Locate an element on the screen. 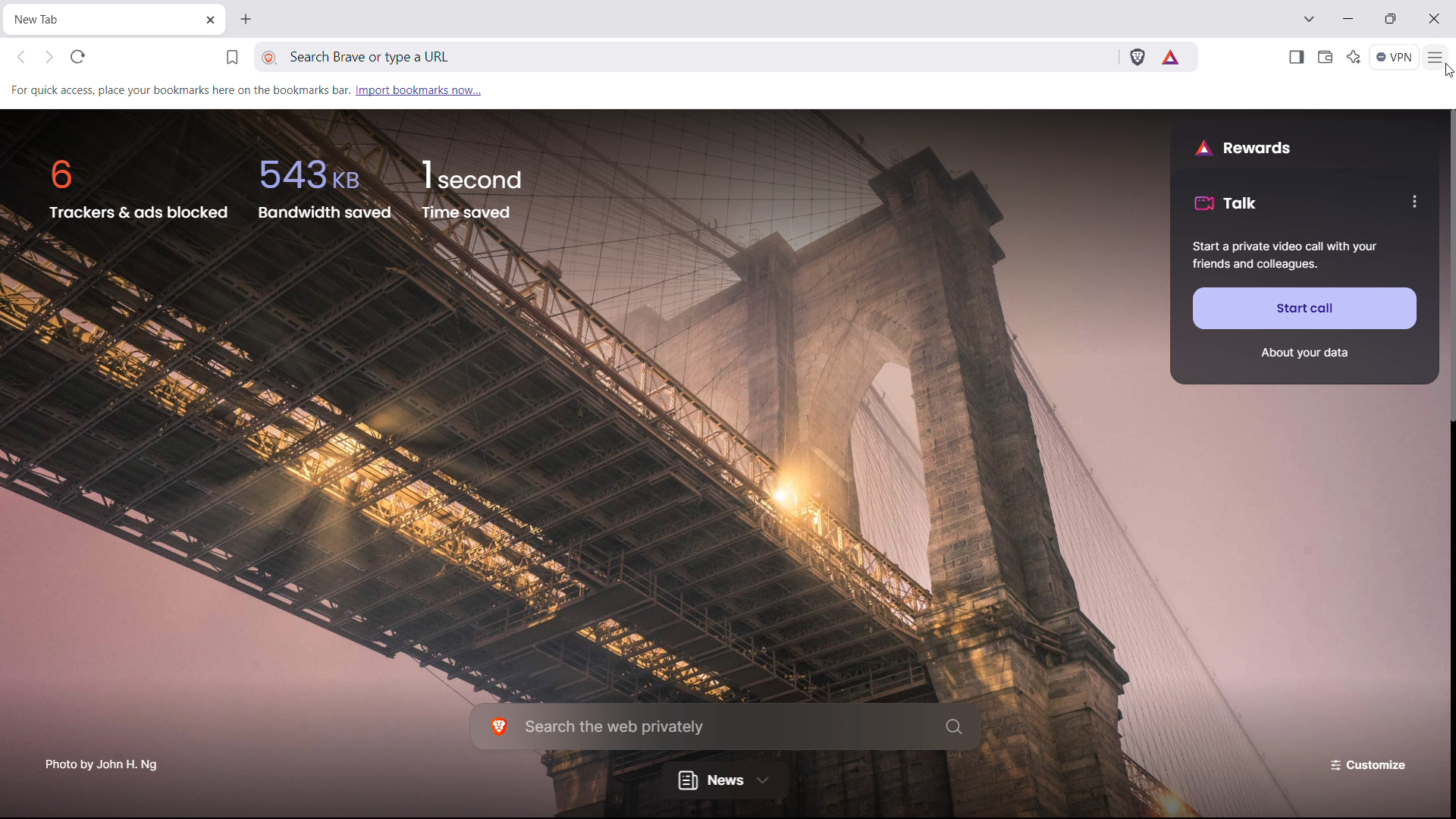  search the web privately is located at coordinates (725, 726).